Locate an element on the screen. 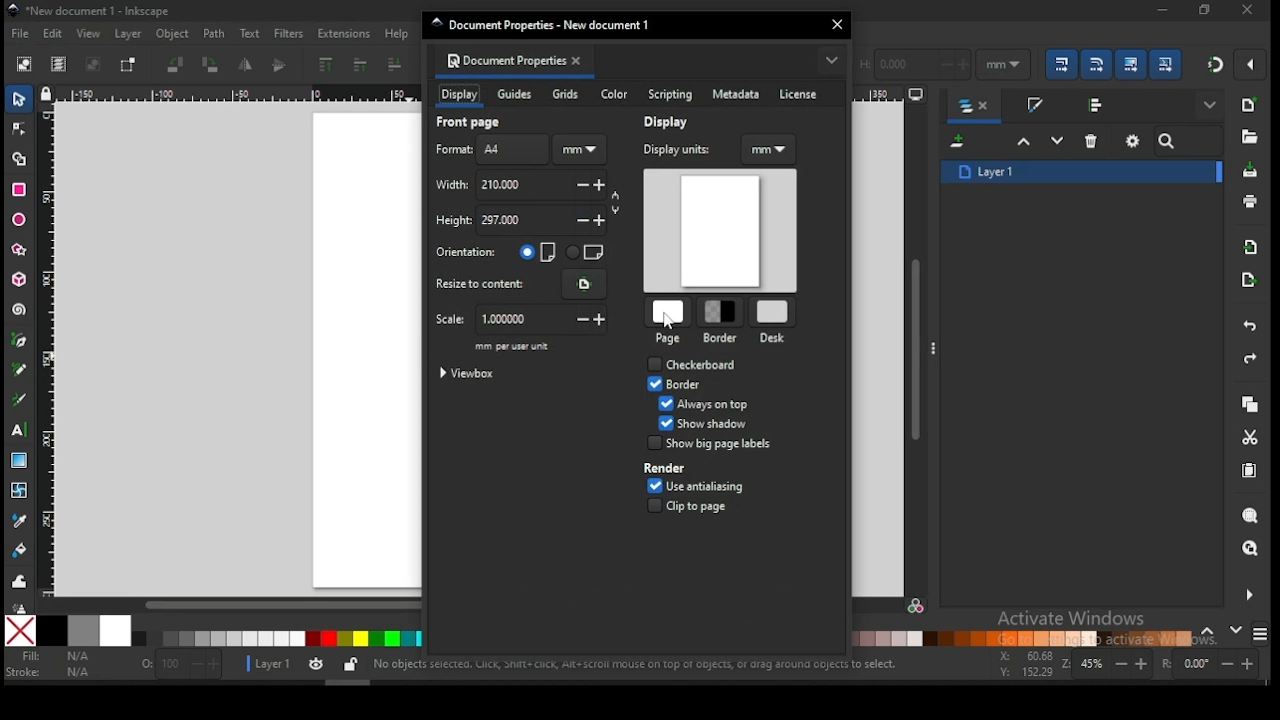 This screenshot has width=1280, height=720. object rotate 90 is located at coordinates (212, 65).